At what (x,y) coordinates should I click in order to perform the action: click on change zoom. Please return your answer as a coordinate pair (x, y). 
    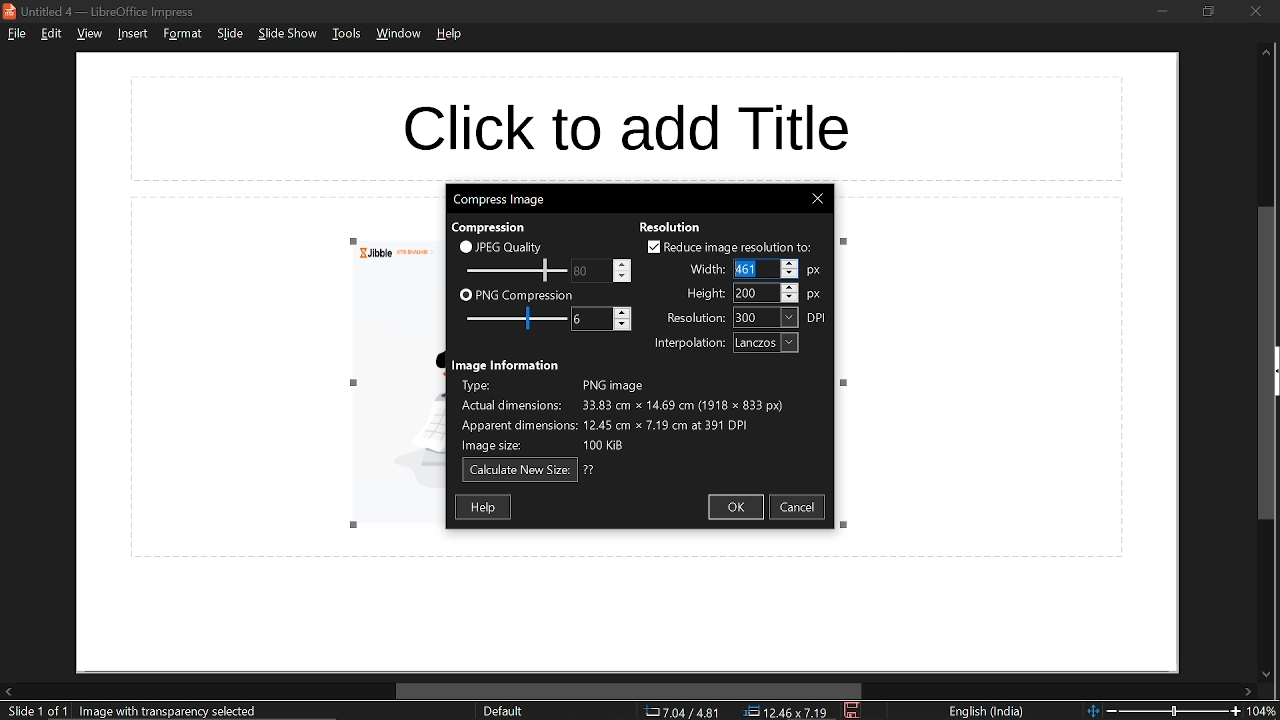
    Looking at the image, I should click on (1162, 712).